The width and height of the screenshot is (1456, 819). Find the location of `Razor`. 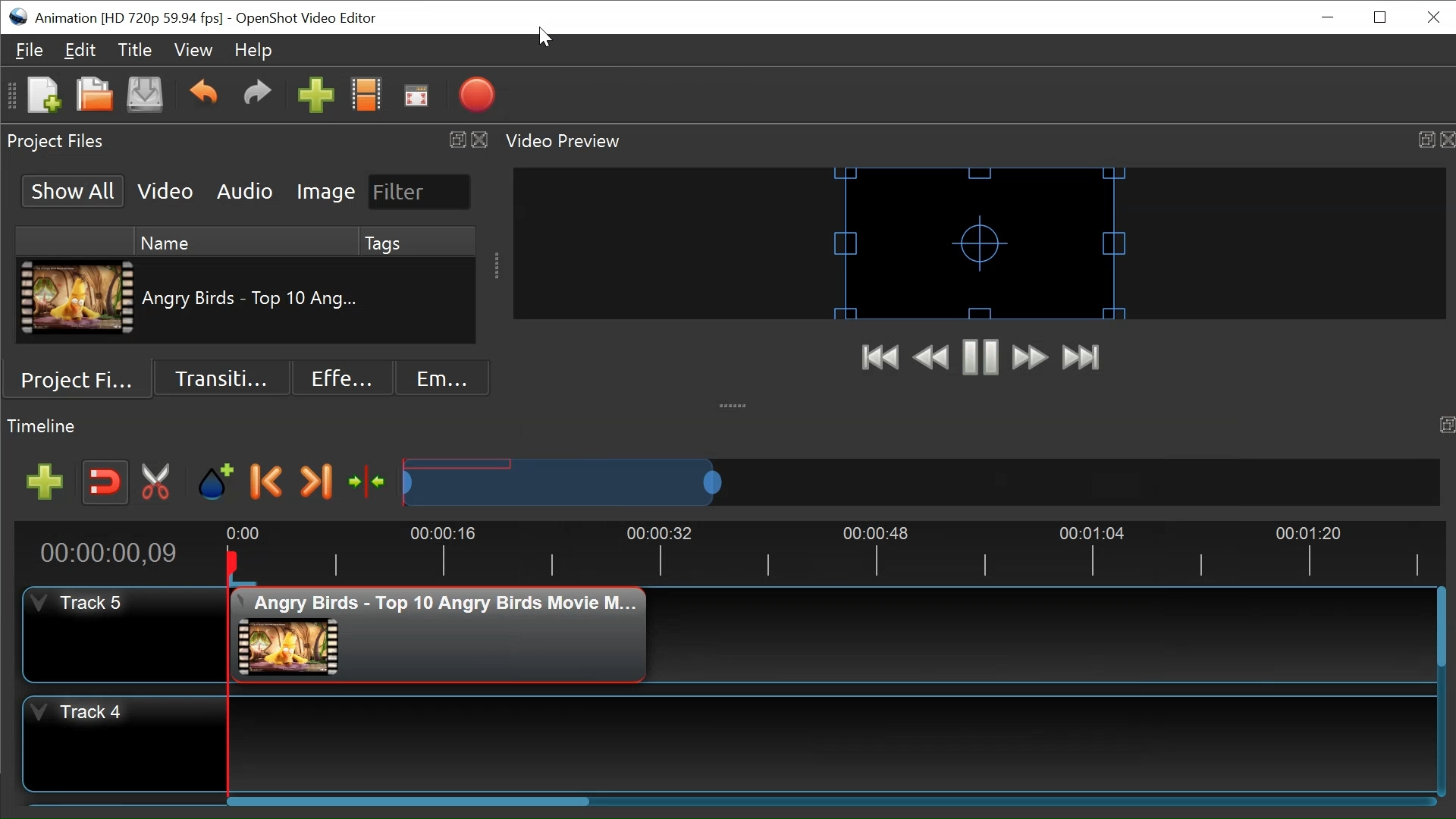

Razor is located at coordinates (157, 483).